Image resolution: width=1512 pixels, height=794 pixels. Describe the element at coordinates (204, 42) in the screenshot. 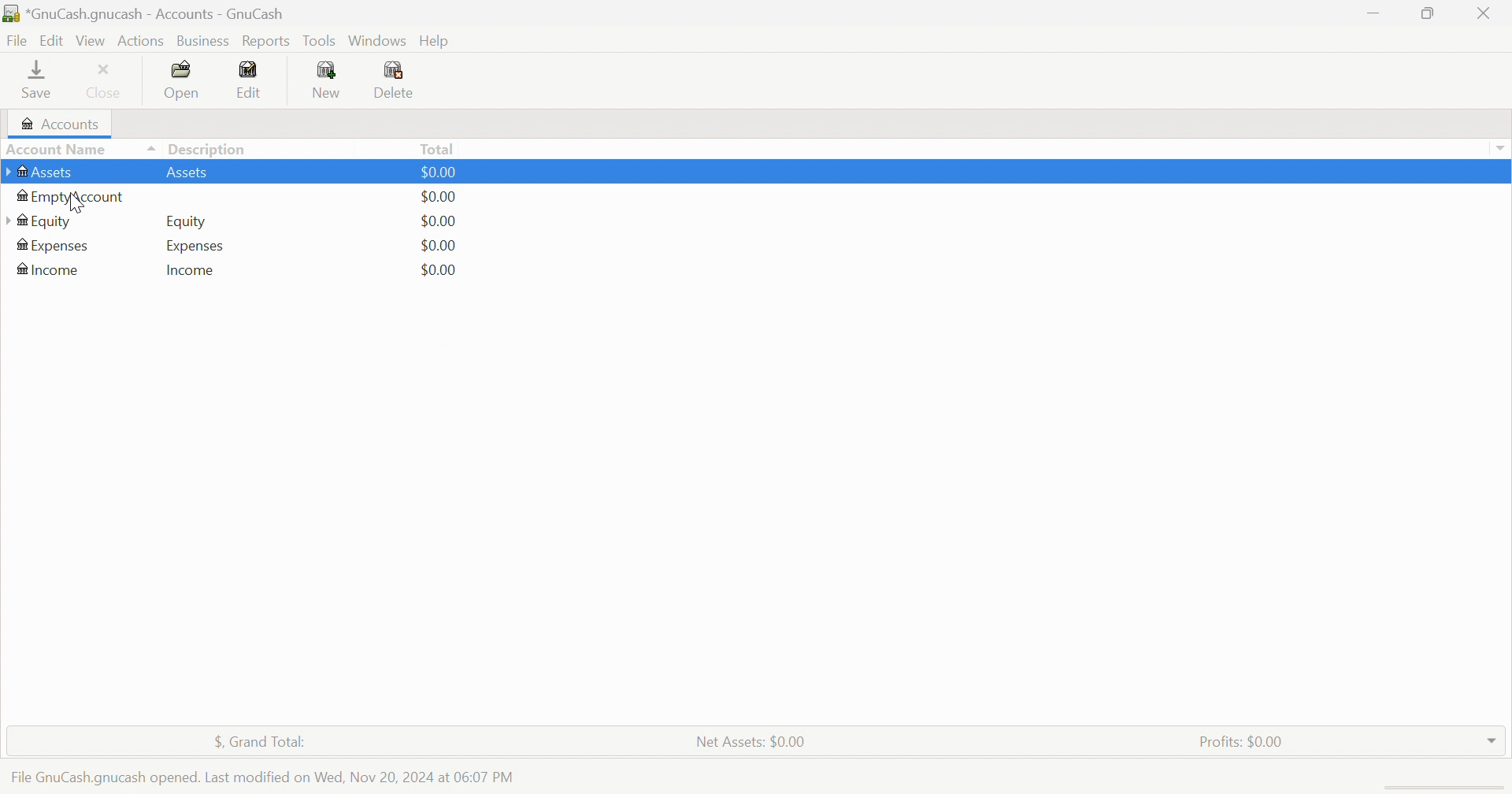

I see `Business` at that location.